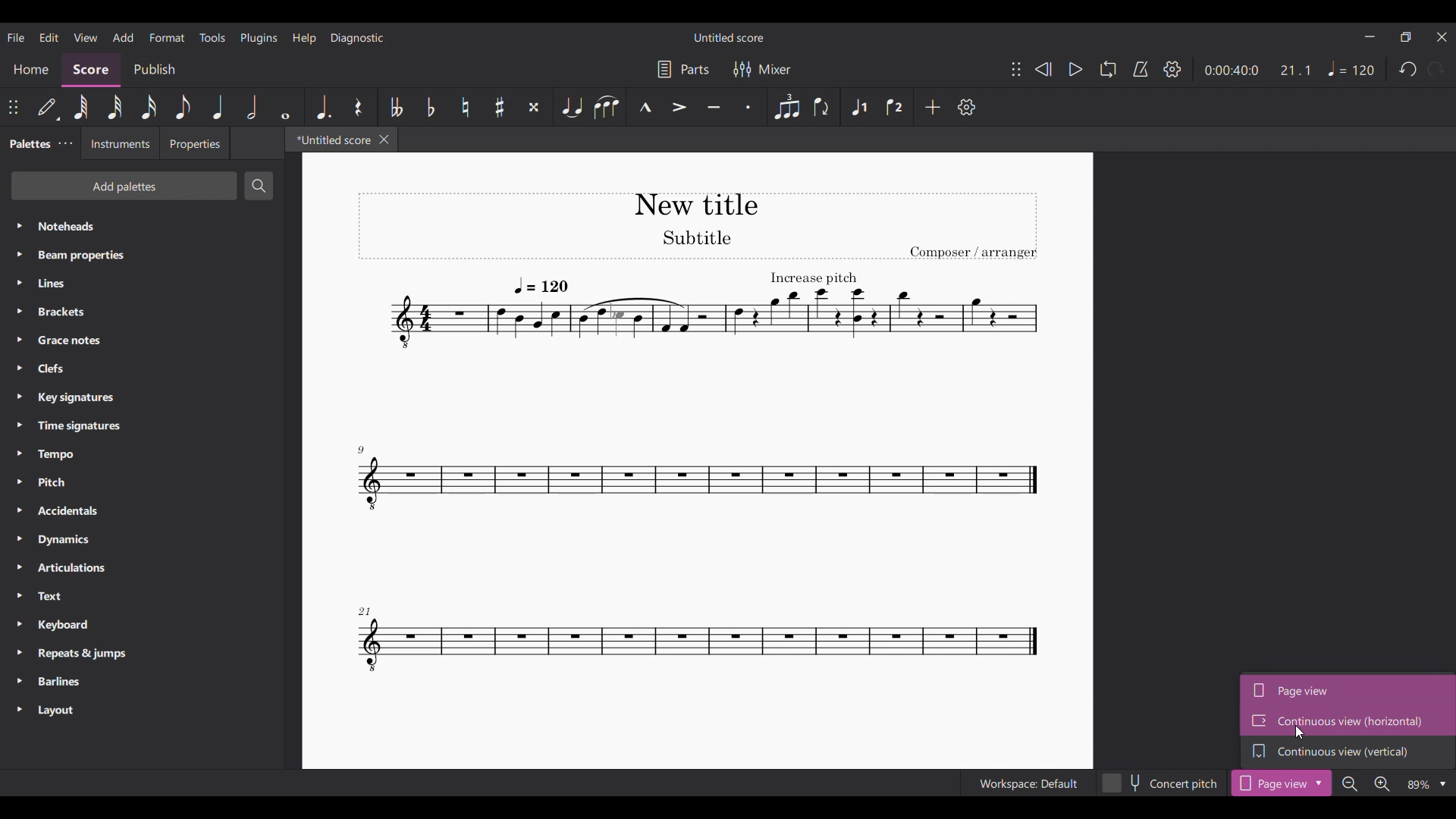 The height and width of the screenshot is (819, 1456). I want to click on Rest, so click(359, 107).